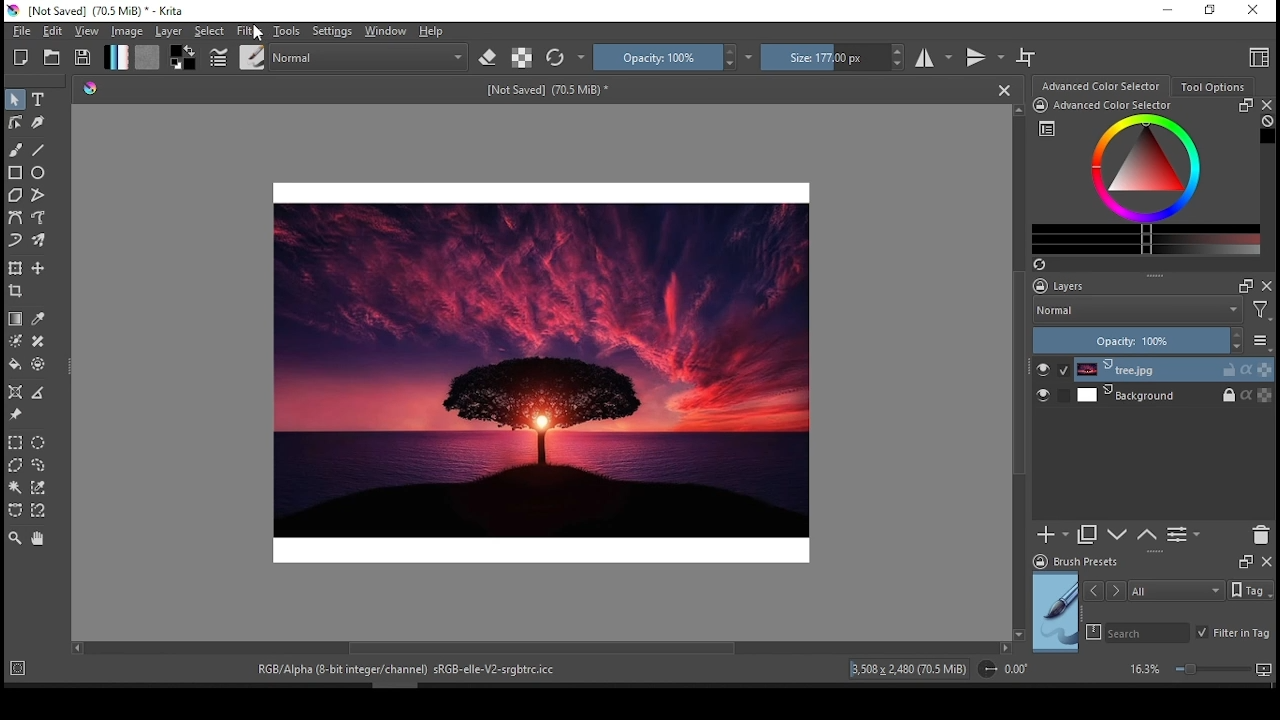 This screenshot has width=1280, height=720. What do you see at coordinates (539, 371) in the screenshot?
I see `image` at bounding box center [539, 371].